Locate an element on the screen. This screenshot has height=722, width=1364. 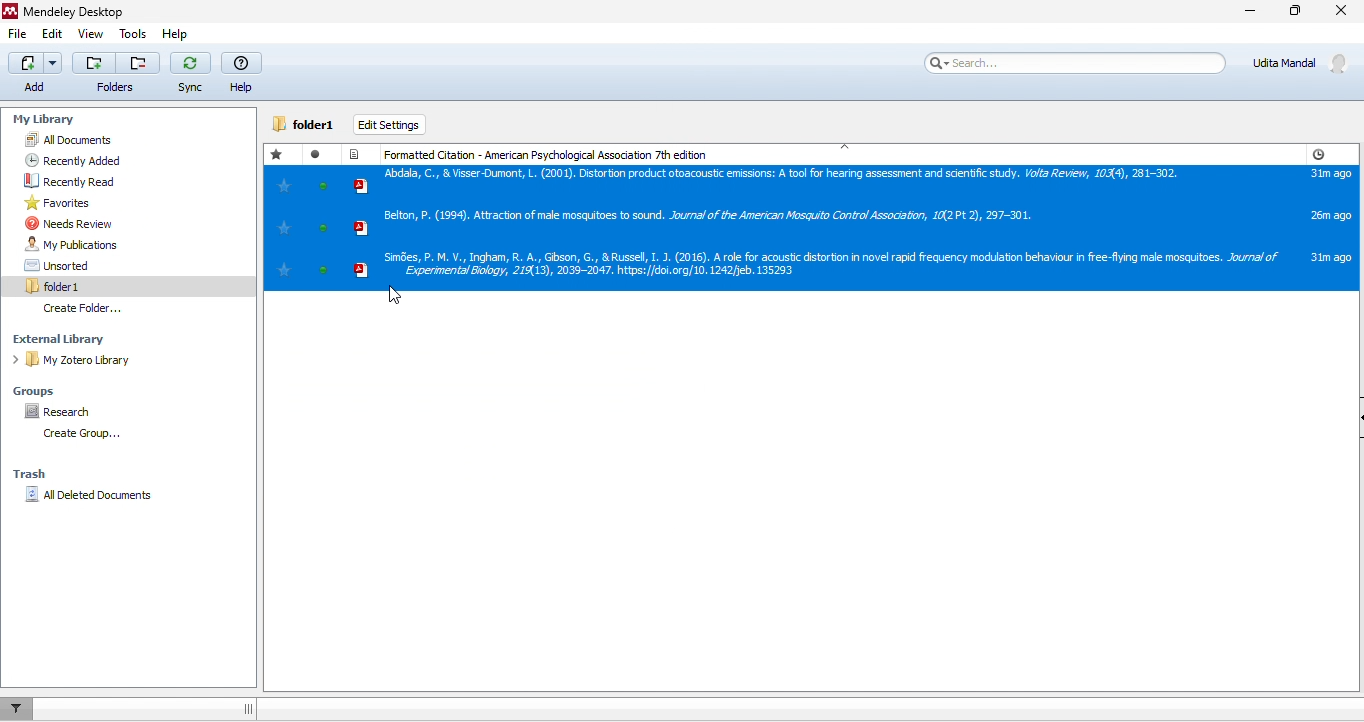
groups is located at coordinates (56, 386).